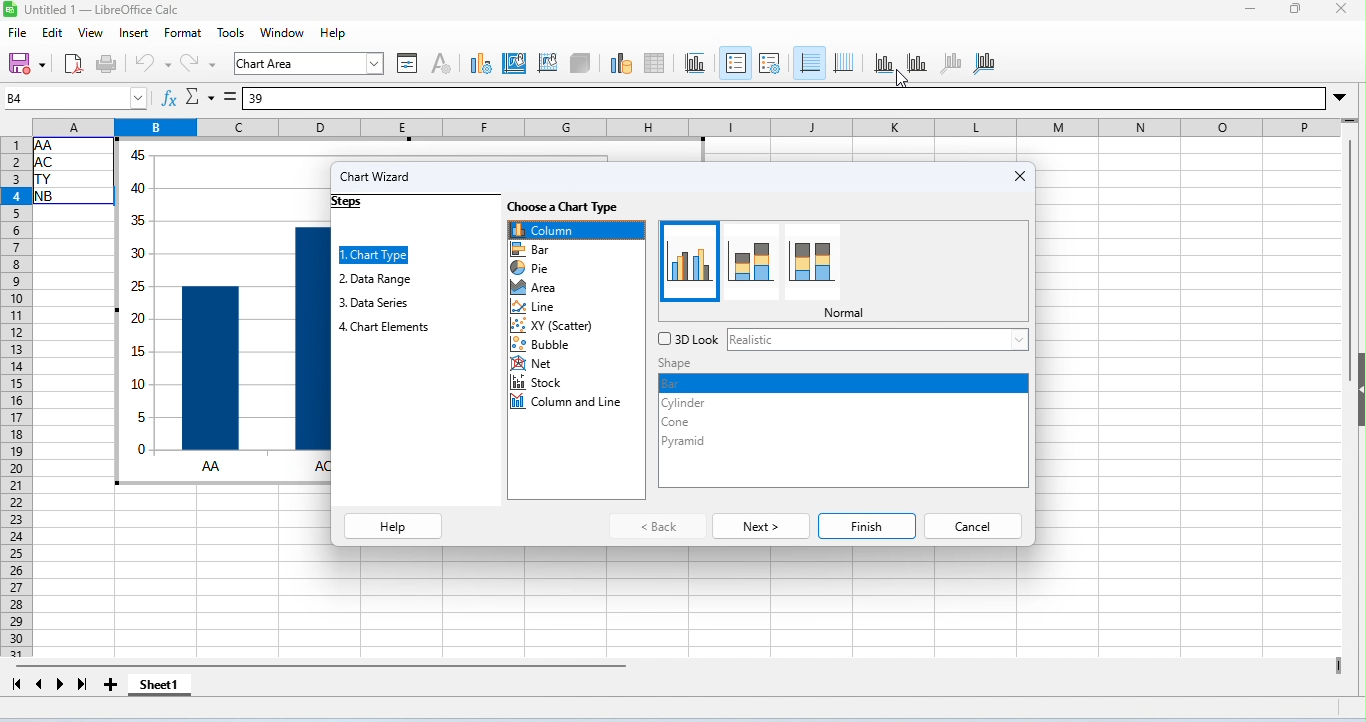 This screenshot has width=1366, height=722. What do you see at coordinates (375, 177) in the screenshot?
I see `chart wizard` at bounding box center [375, 177].